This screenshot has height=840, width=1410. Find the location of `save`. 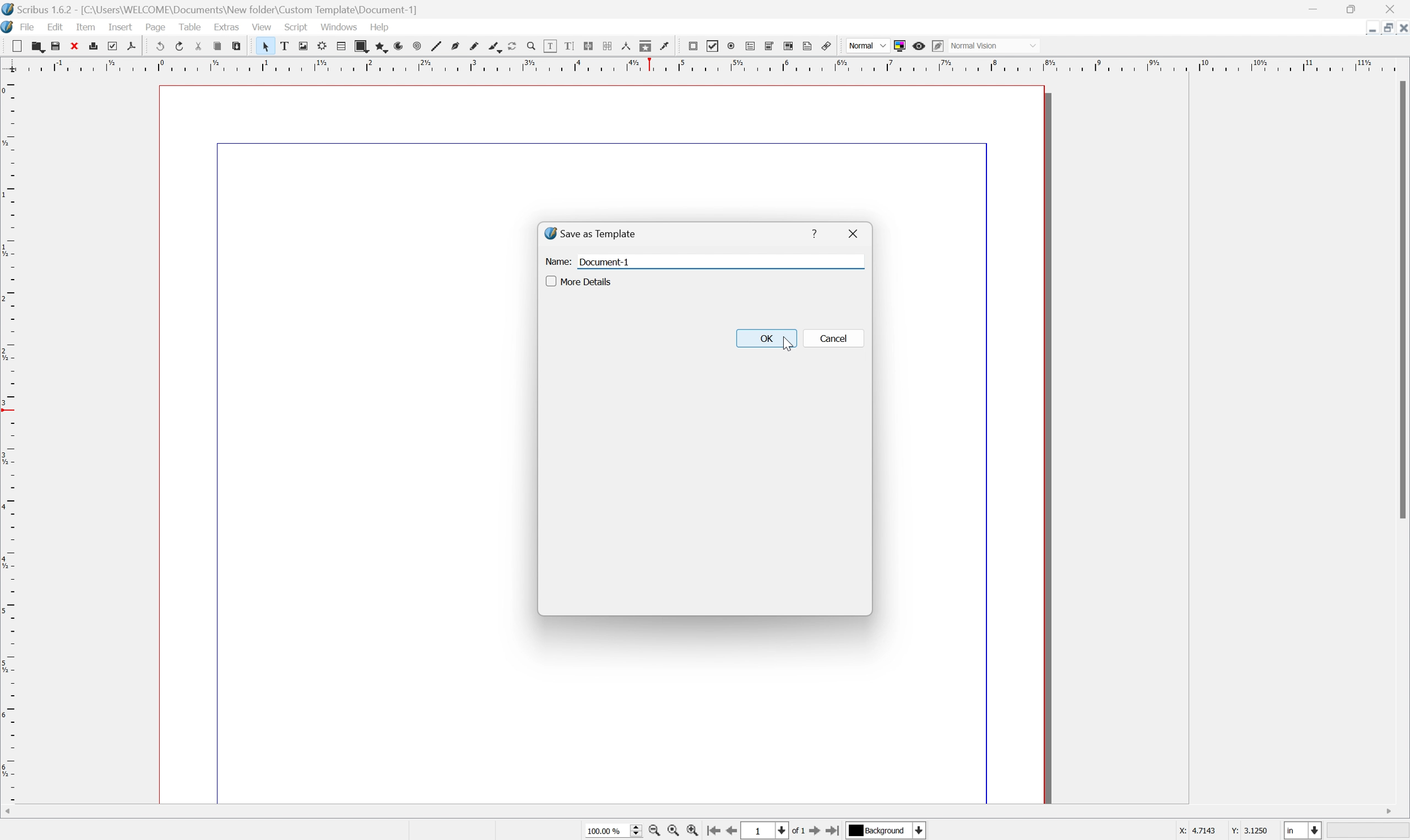

save is located at coordinates (55, 44).